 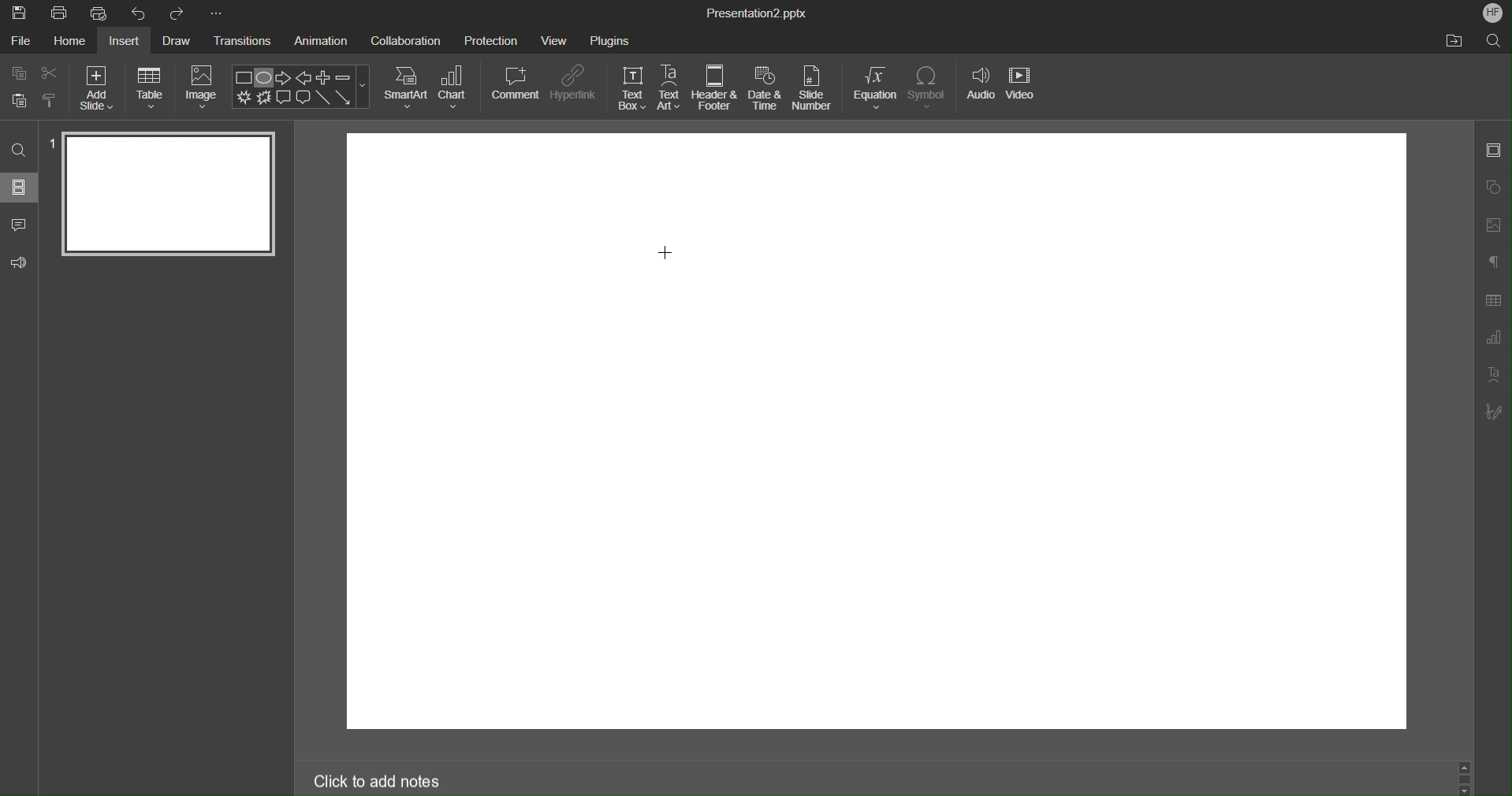 What do you see at coordinates (1494, 413) in the screenshot?
I see `Signature` at bounding box center [1494, 413].